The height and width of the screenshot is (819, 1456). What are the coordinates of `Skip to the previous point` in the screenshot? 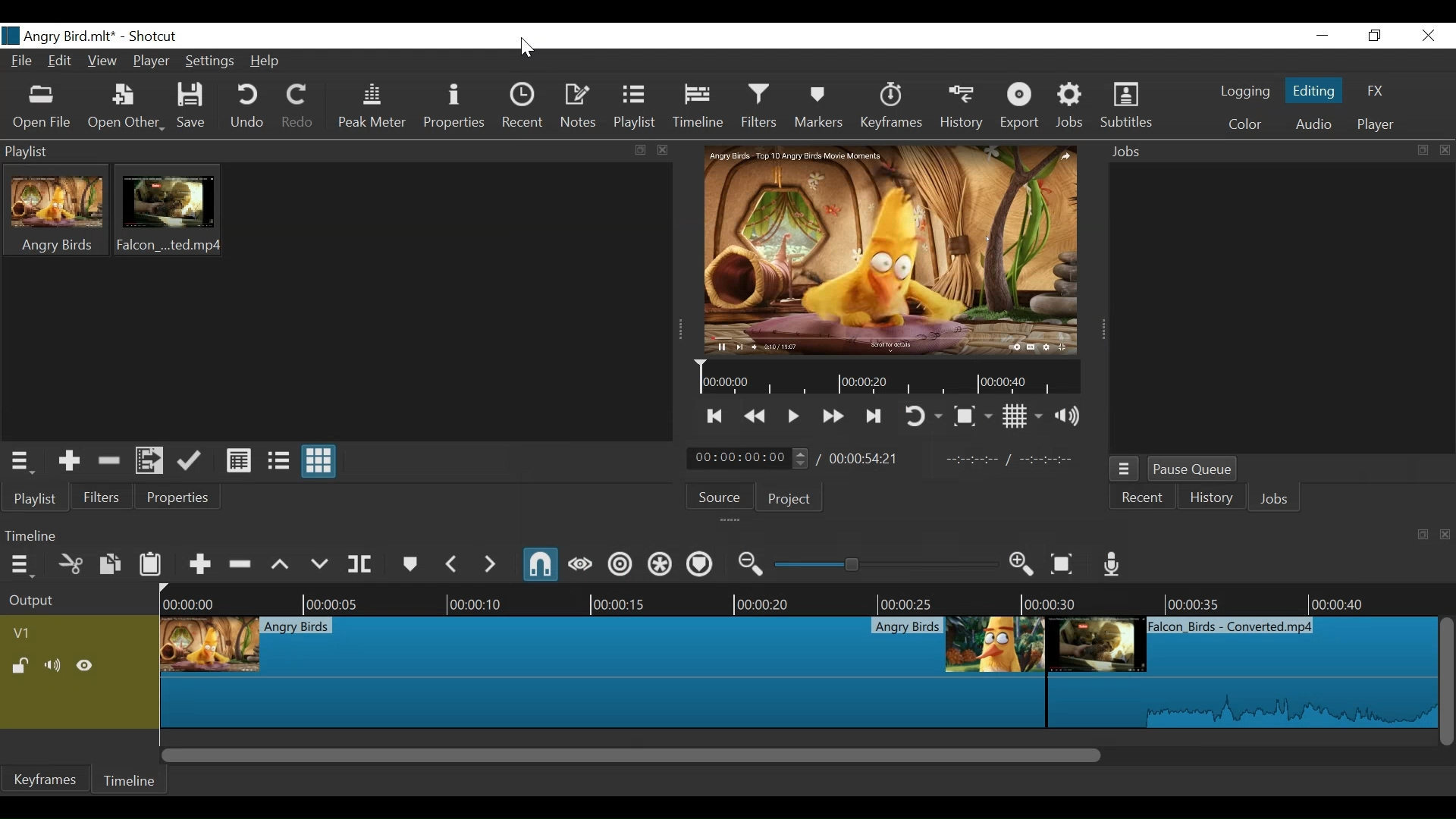 It's located at (712, 416).